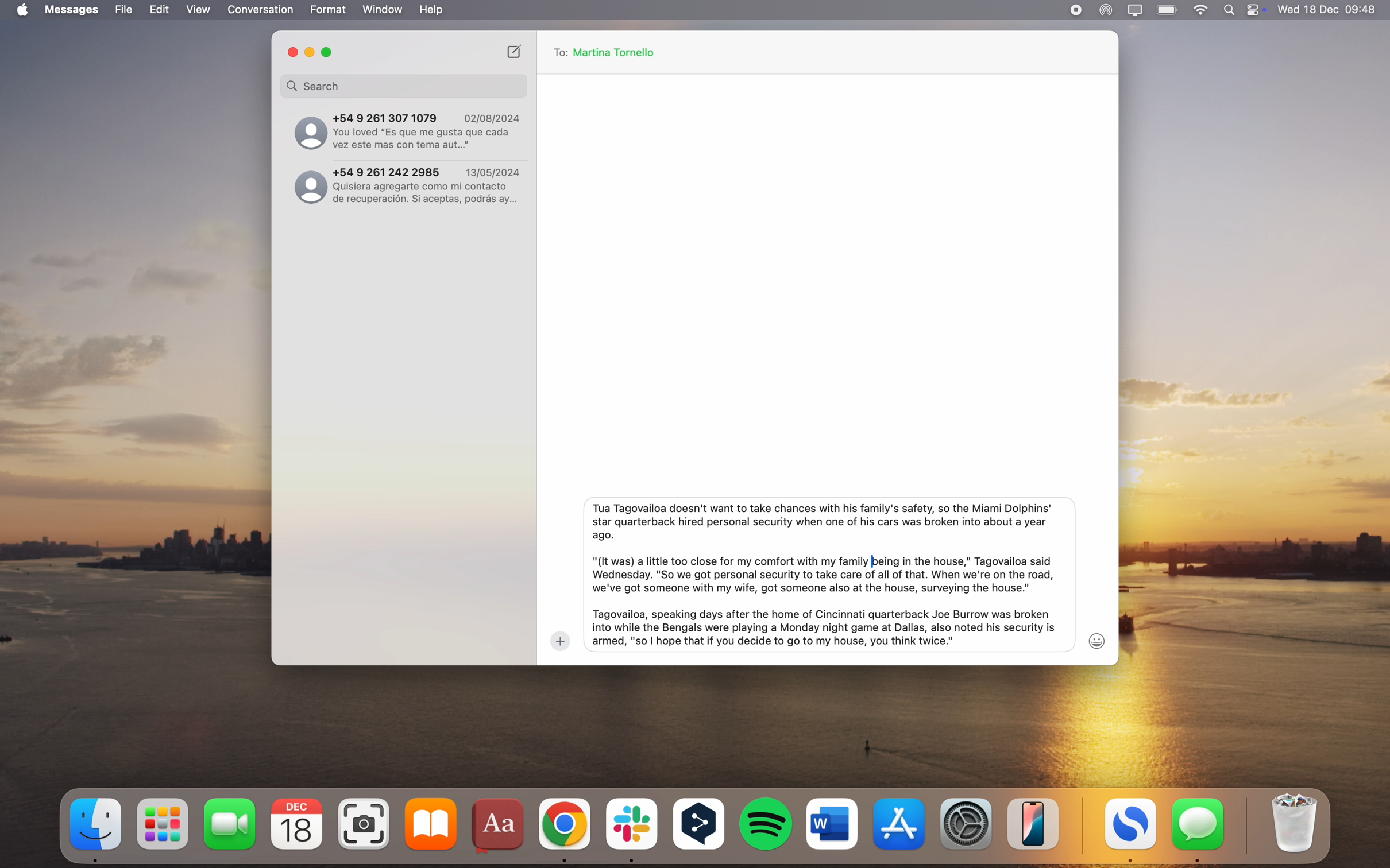  What do you see at coordinates (404, 86) in the screenshot?
I see `search bar` at bounding box center [404, 86].